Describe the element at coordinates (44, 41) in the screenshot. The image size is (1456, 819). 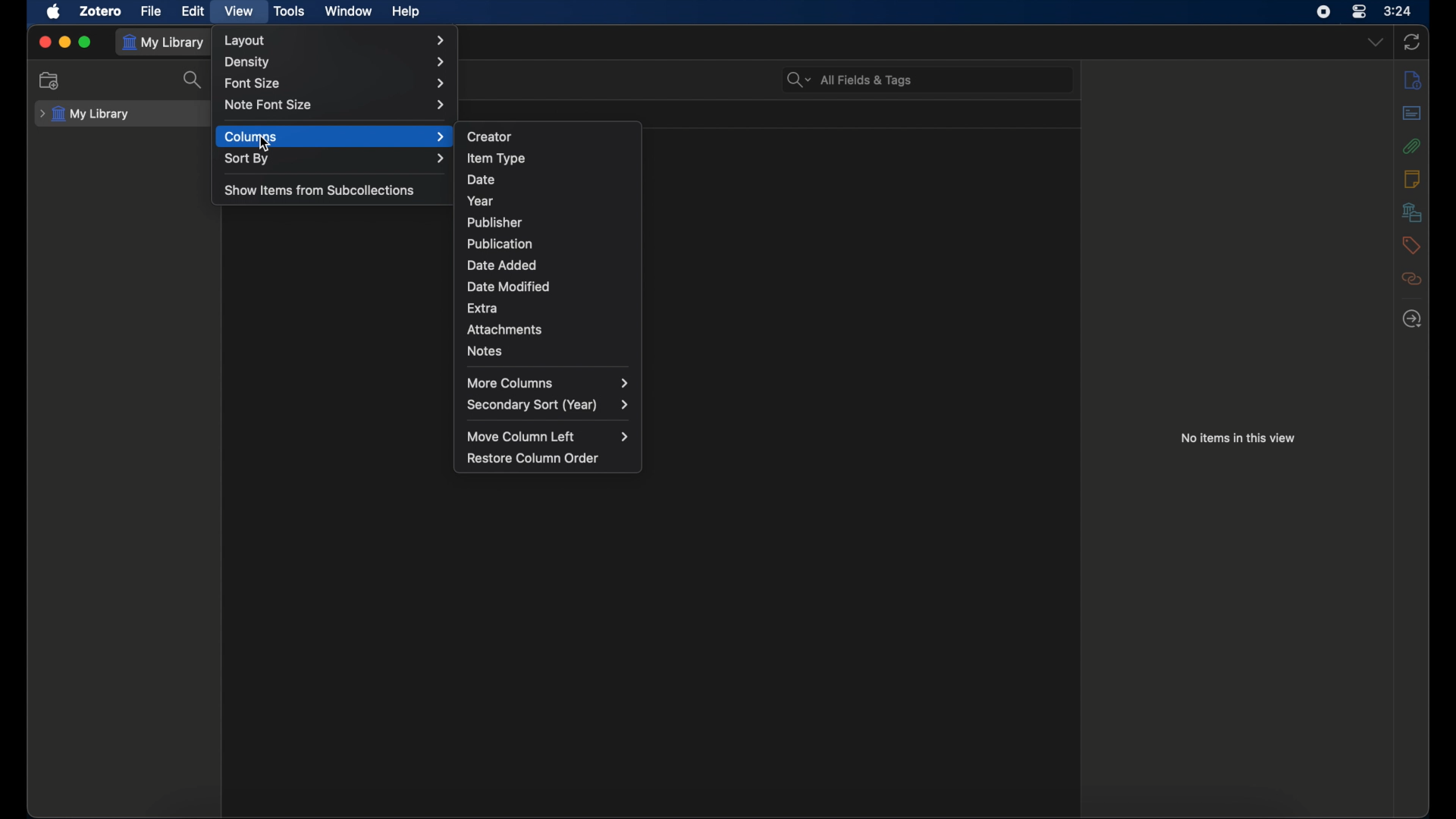
I see `close` at that location.